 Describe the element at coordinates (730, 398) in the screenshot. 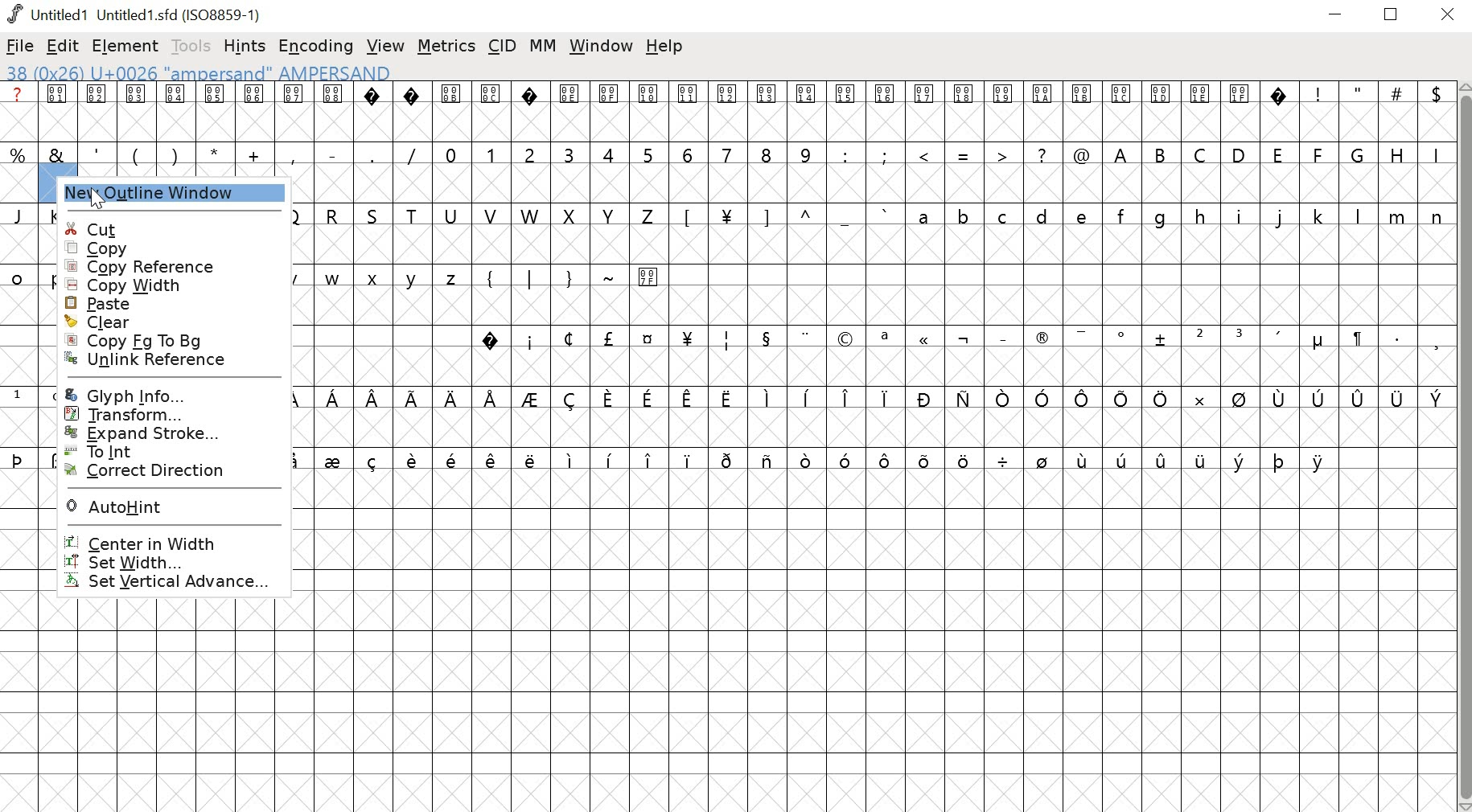

I see `symbol` at that location.